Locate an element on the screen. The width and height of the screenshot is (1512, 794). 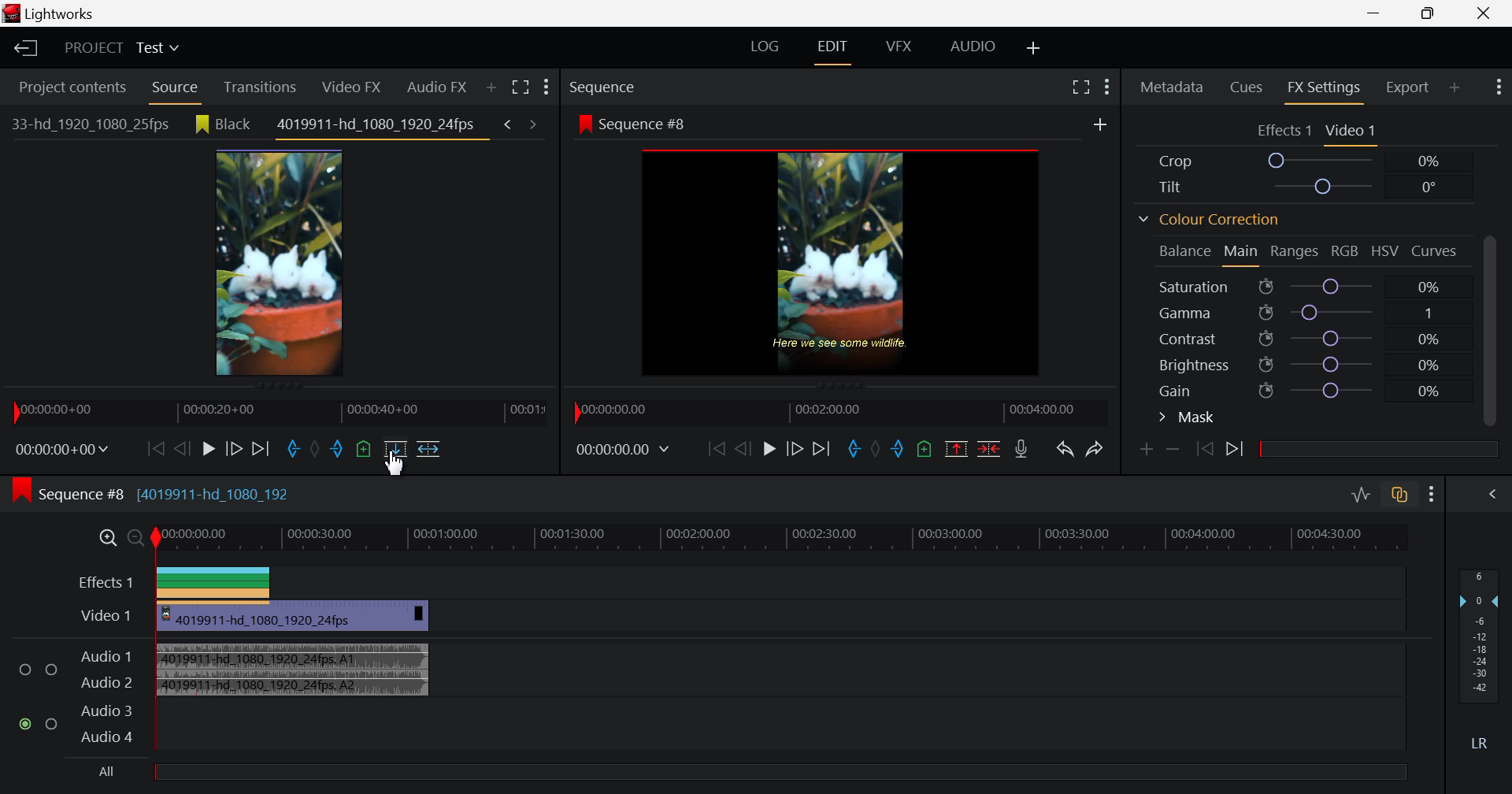
Go Back is located at coordinates (743, 449).